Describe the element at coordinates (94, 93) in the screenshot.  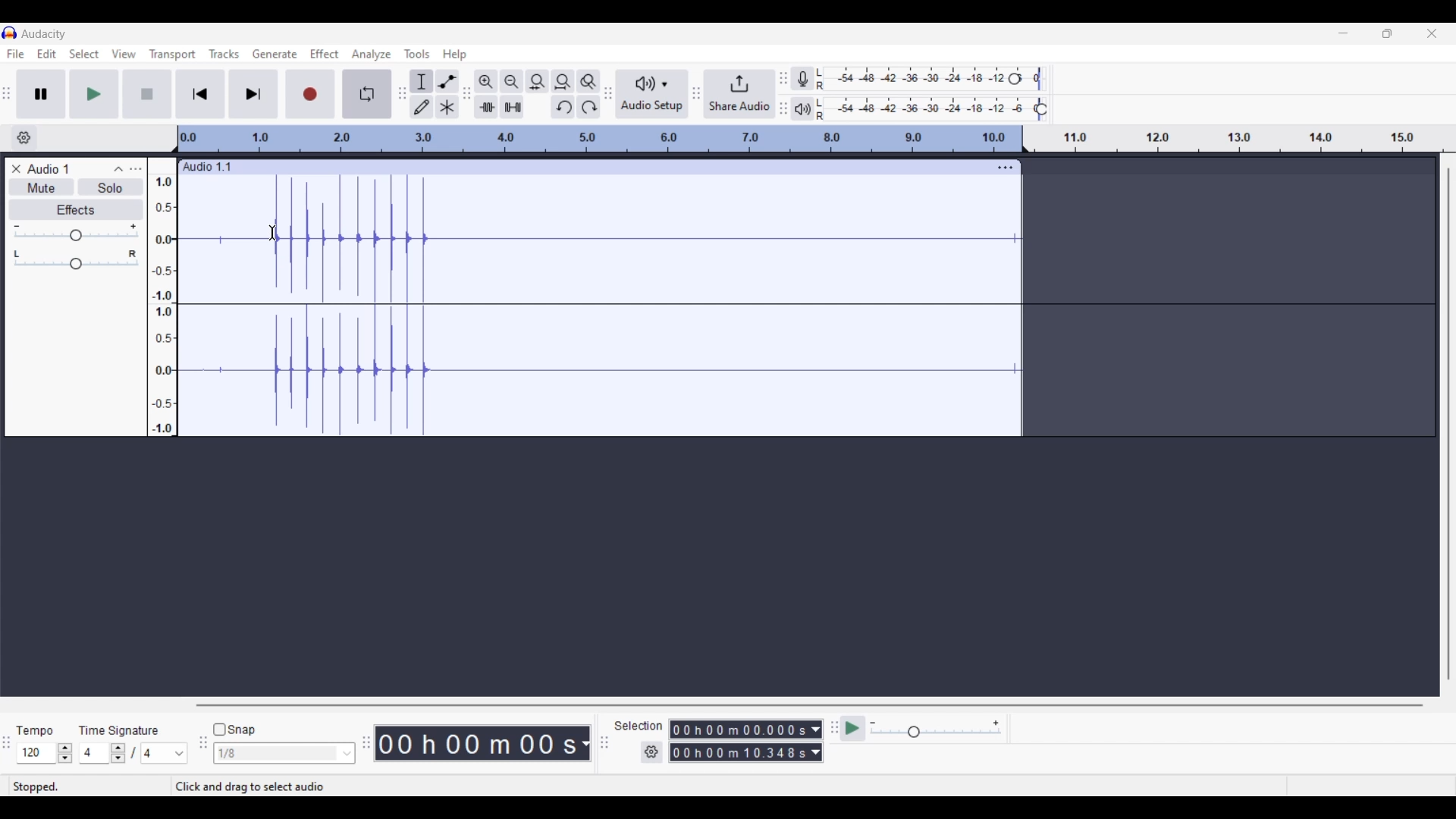
I see `Play/Play once` at that location.